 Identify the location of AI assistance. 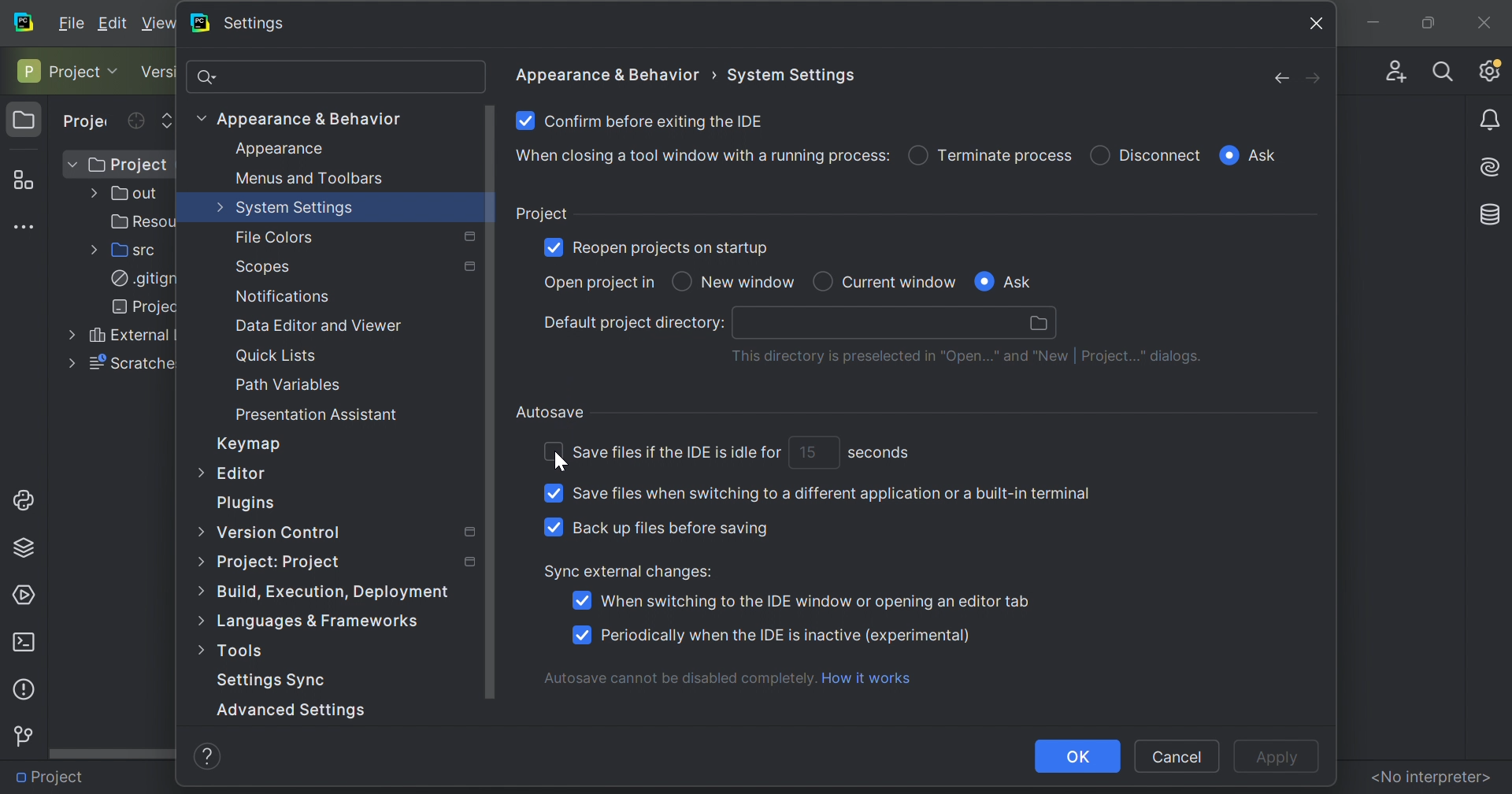
(1493, 165).